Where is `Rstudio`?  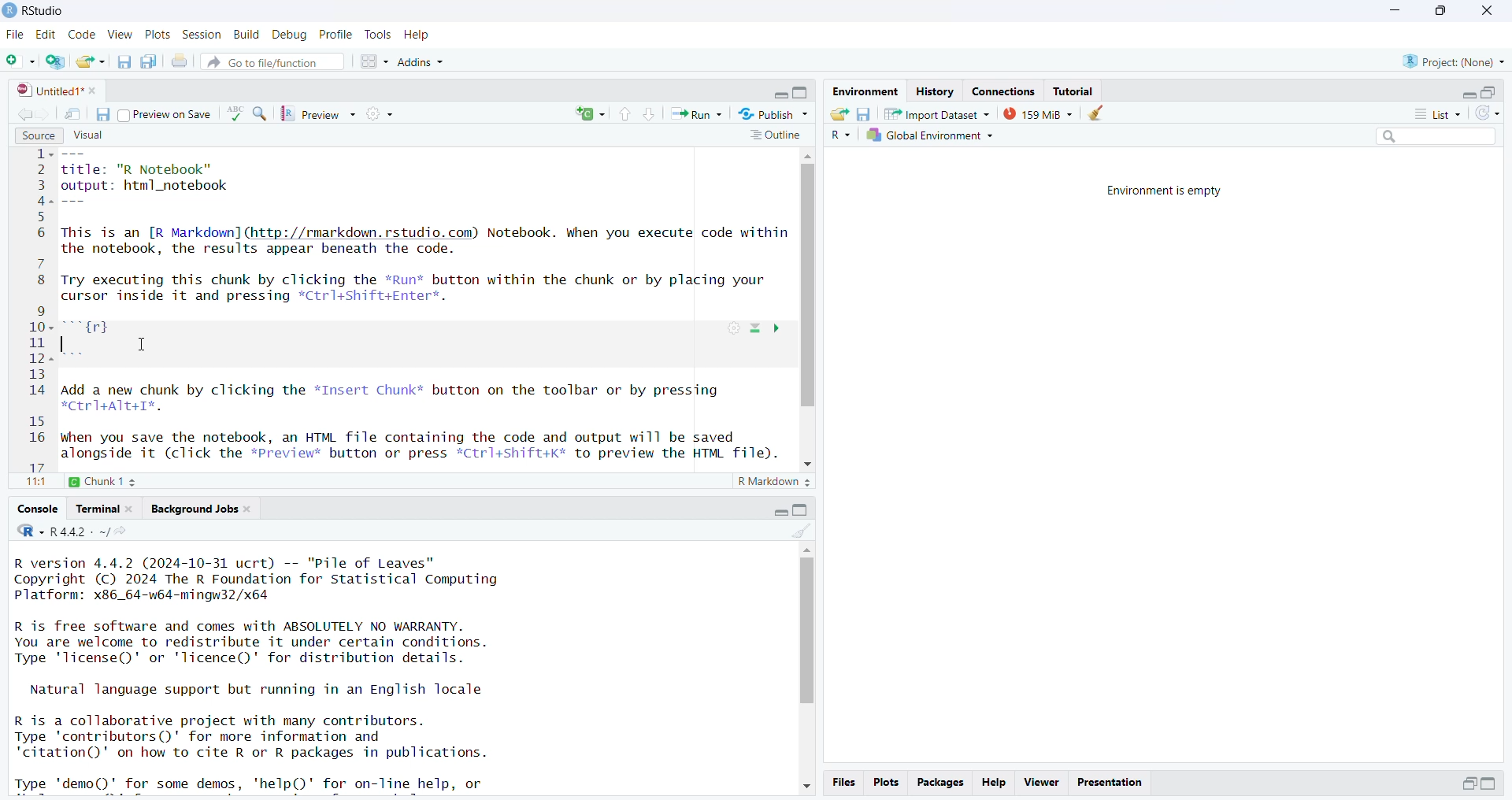 Rstudio is located at coordinates (35, 10).